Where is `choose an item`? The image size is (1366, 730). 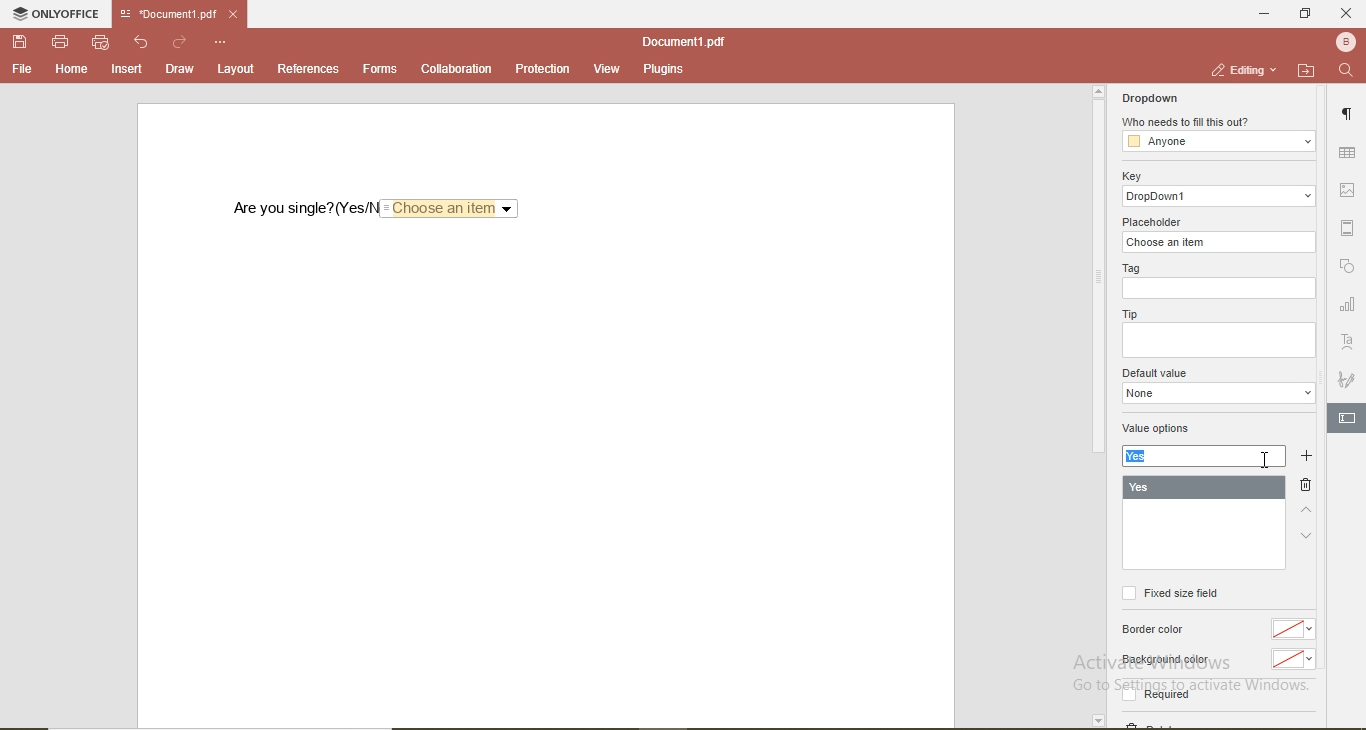
choose an item is located at coordinates (1216, 243).